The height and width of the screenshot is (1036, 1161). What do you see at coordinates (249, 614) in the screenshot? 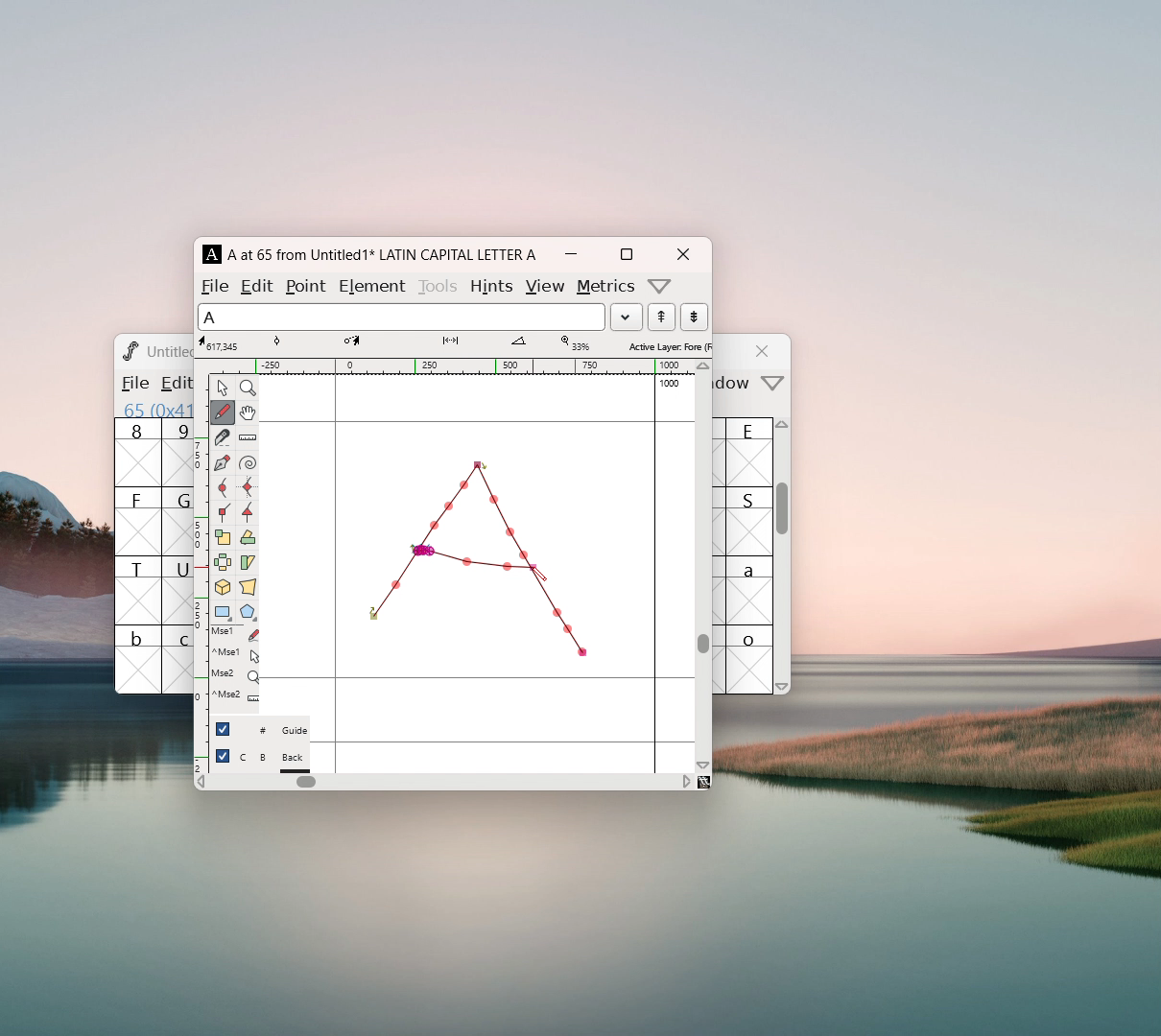
I see `polygon or star` at bounding box center [249, 614].